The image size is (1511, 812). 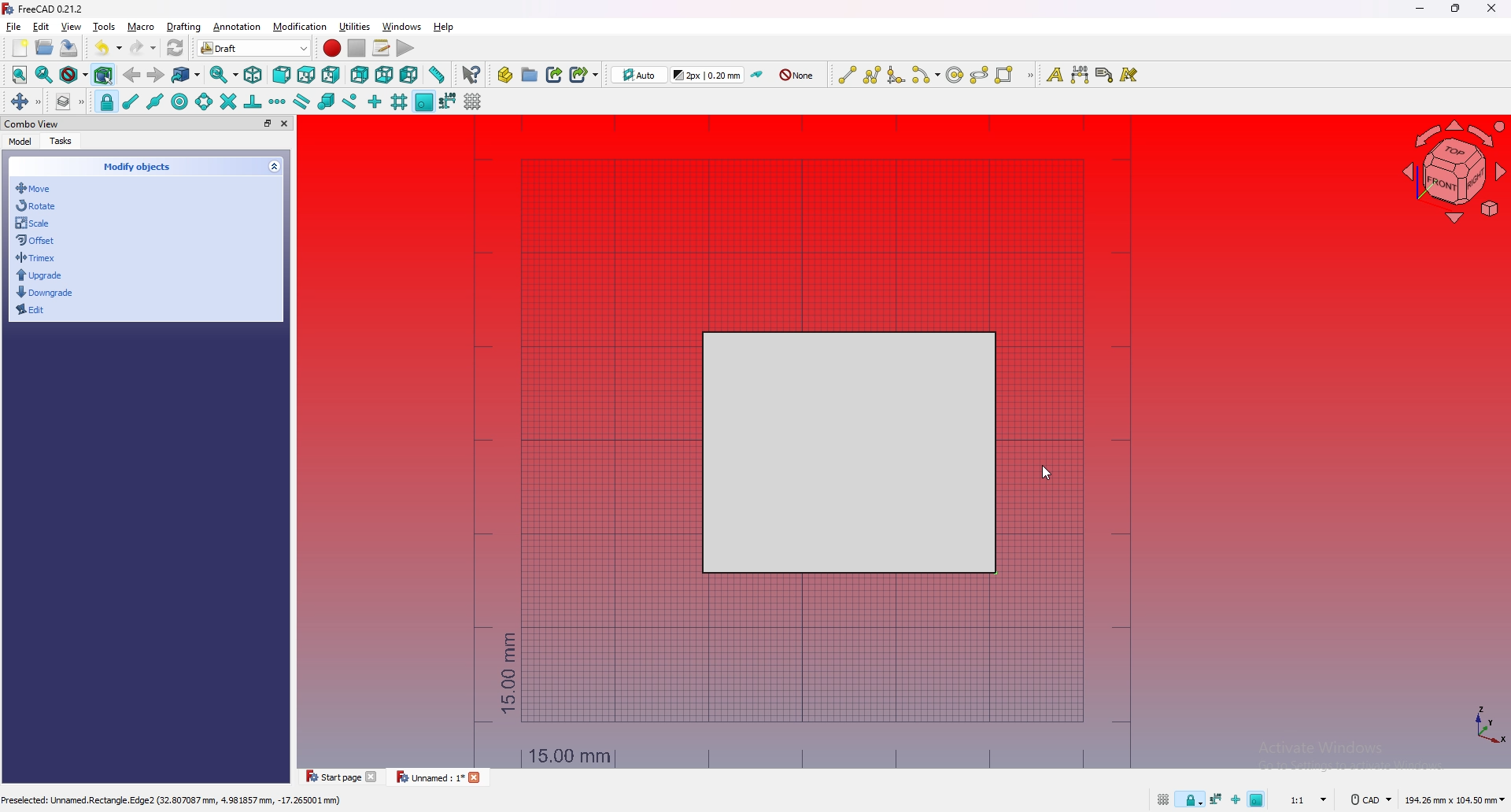 What do you see at coordinates (301, 27) in the screenshot?
I see `modification` at bounding box center [301, 27].